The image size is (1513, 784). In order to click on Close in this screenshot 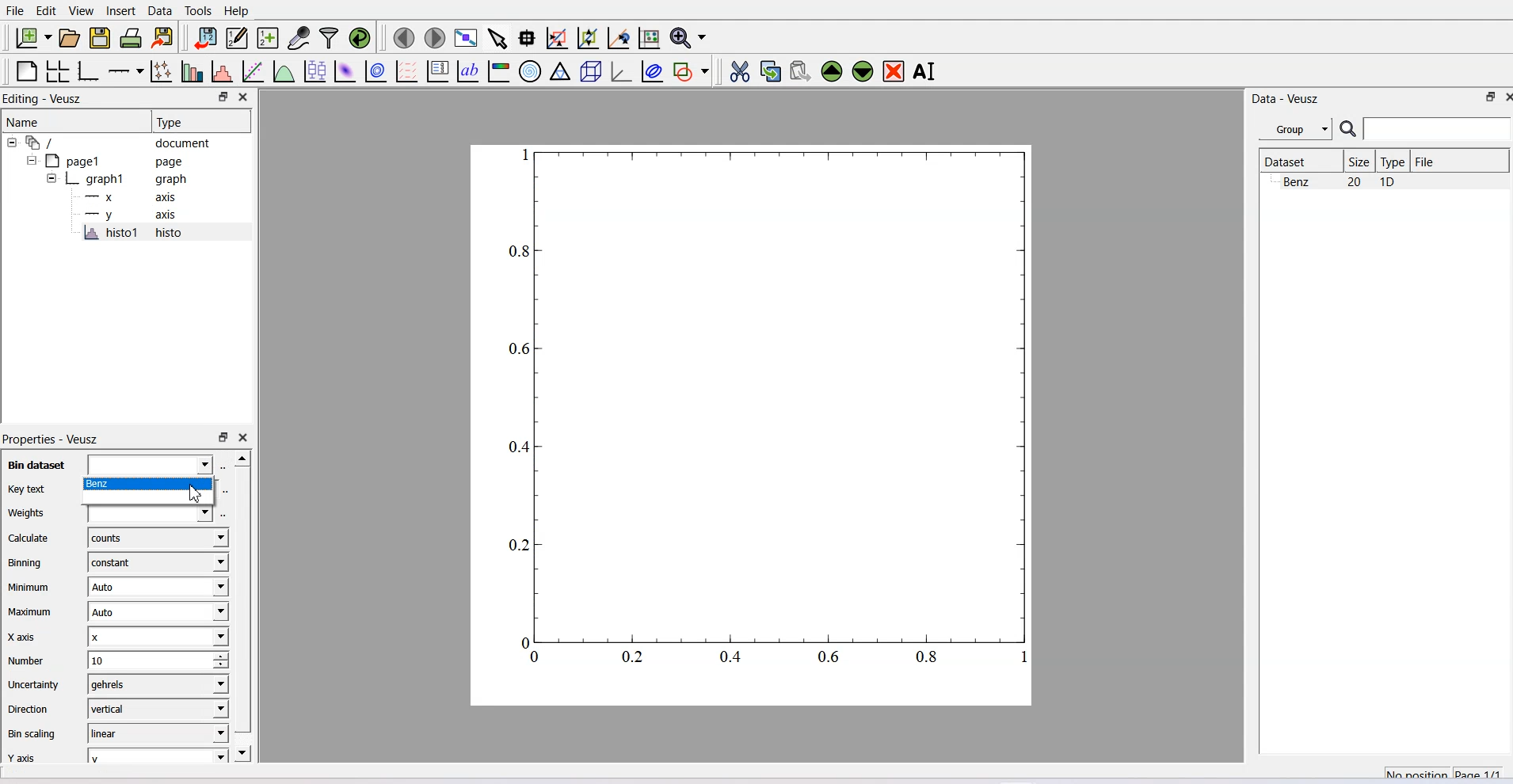, I will do `click(244, 438)`.